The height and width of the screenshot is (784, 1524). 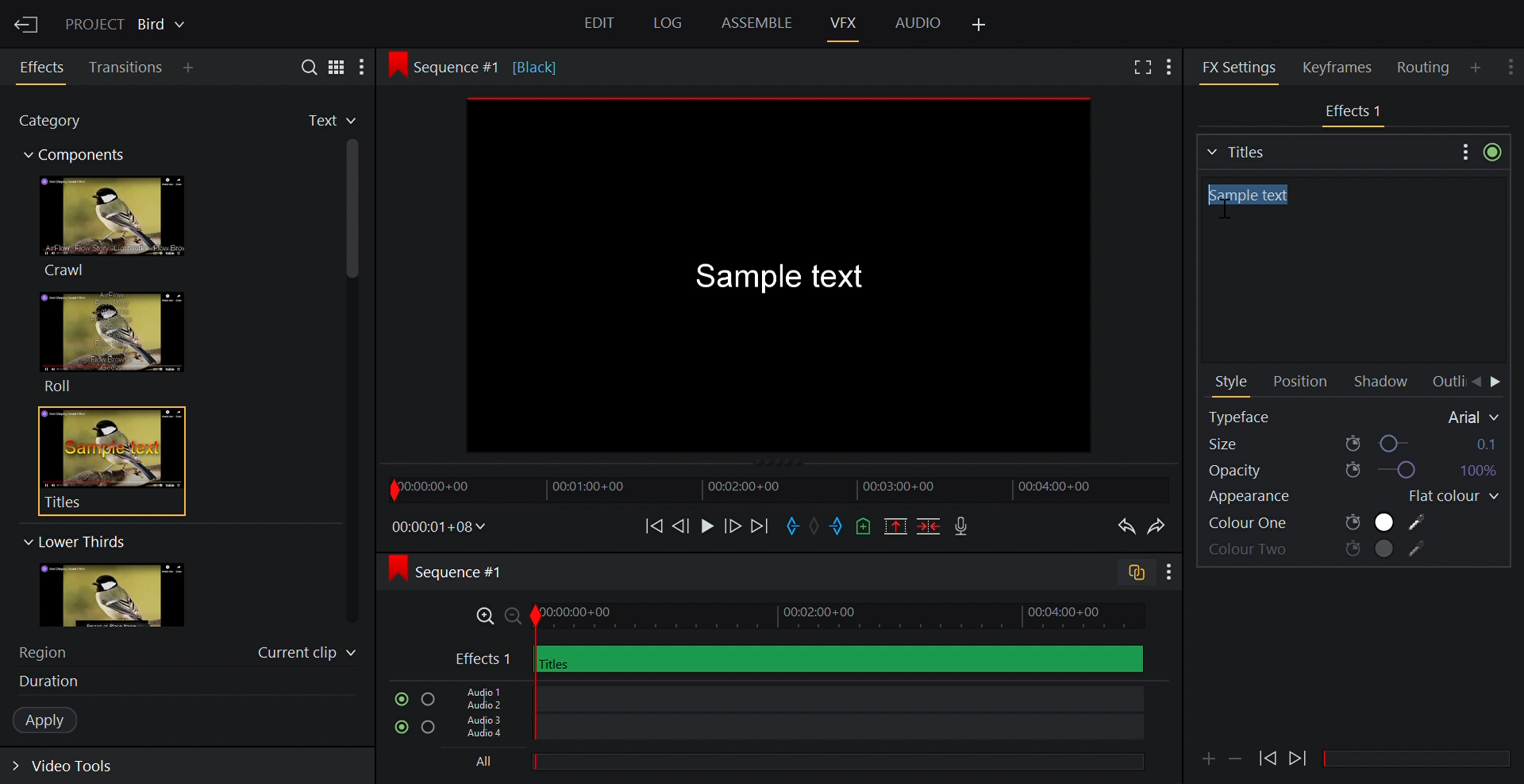 What do you see at coordinates (783, 278) in the screenshot?
I see `Media Viewer` at bounding box center [783, 278].